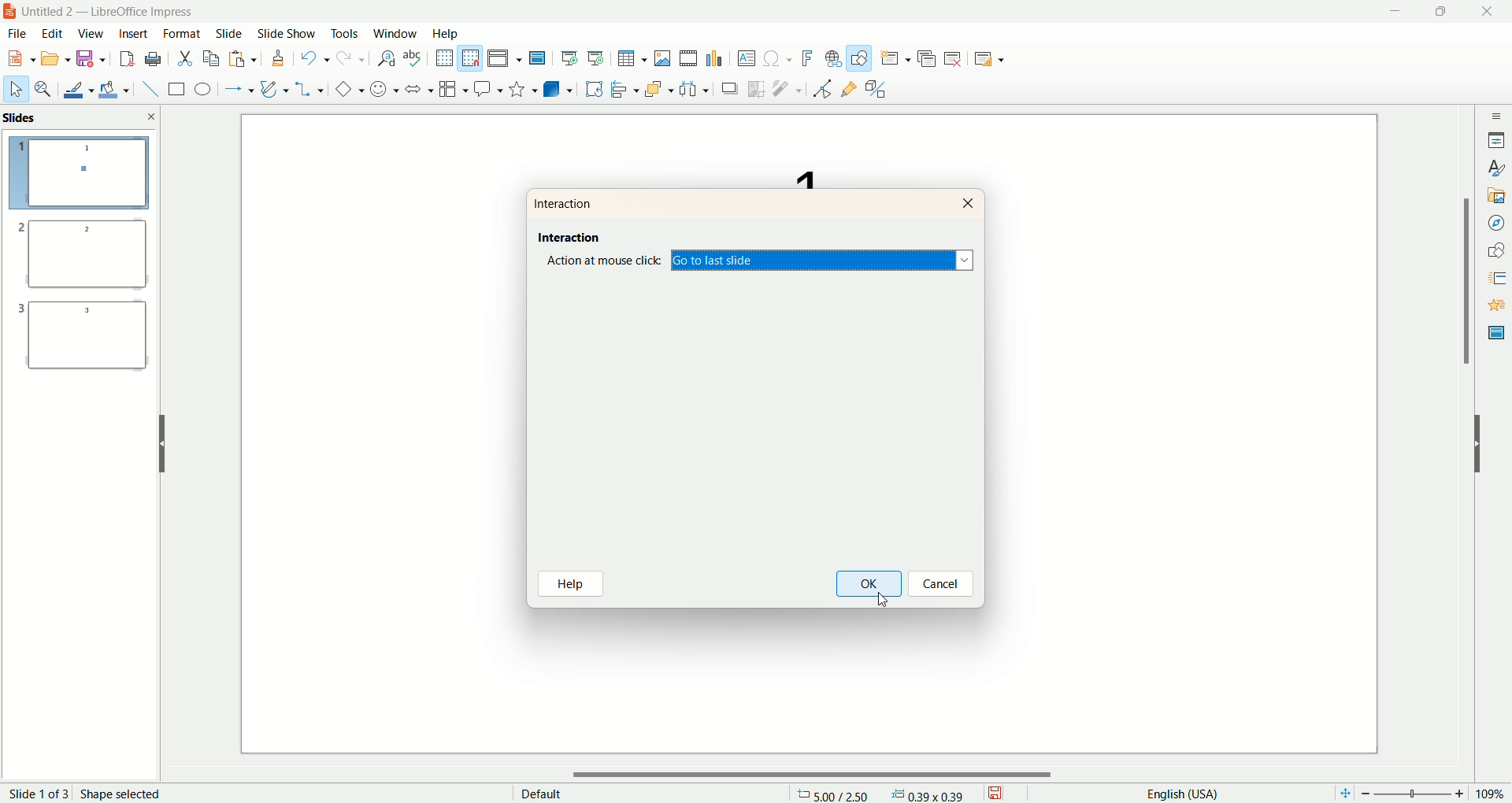 Image resolution: width=1512 pixels, height=803 pixels. Describe the element at coordinates (732, 90) in the screenshot. I see `shadow` at that location.